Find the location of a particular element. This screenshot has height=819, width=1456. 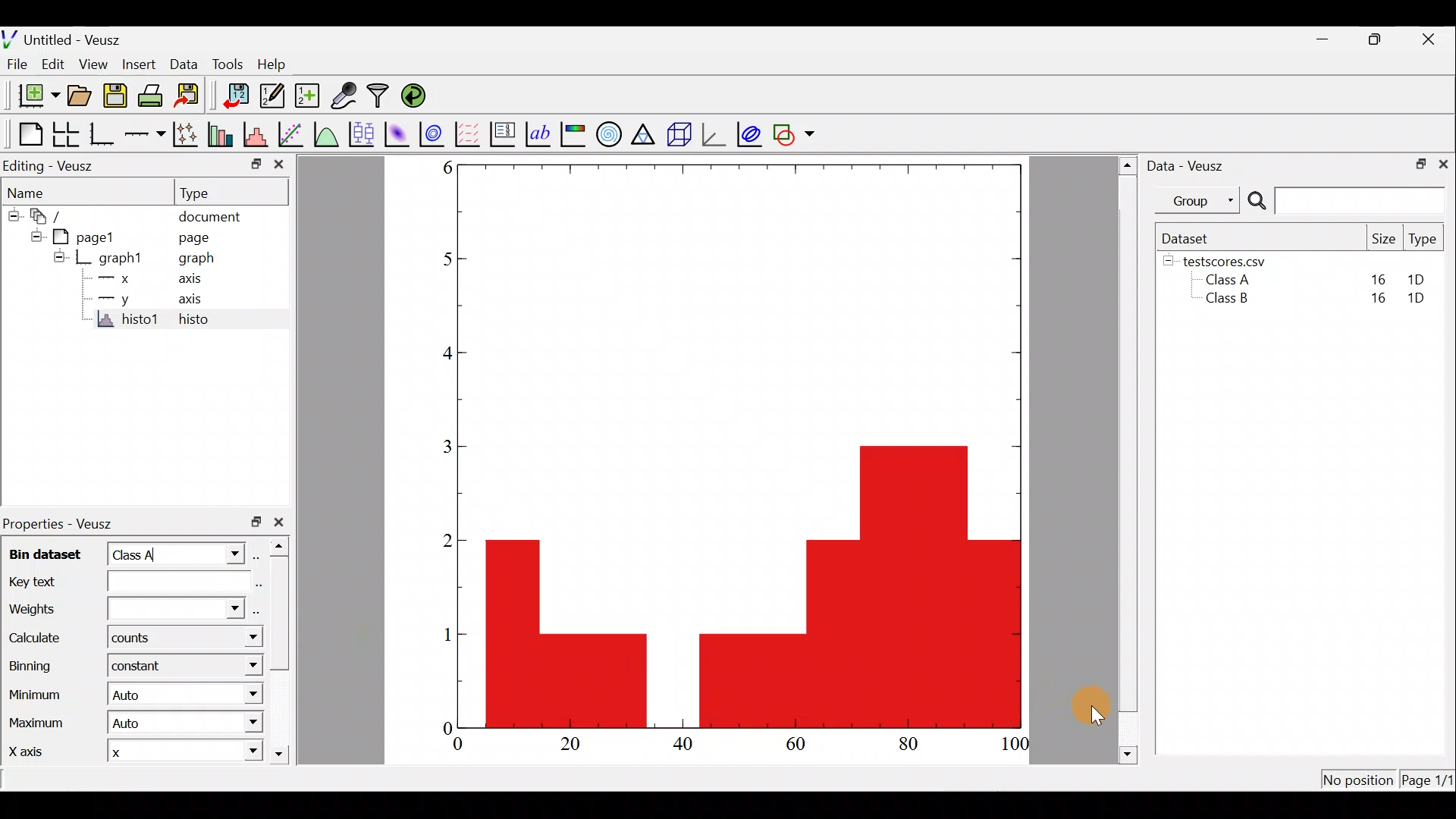

testscores.csv is located at coordinates (1233, 261).